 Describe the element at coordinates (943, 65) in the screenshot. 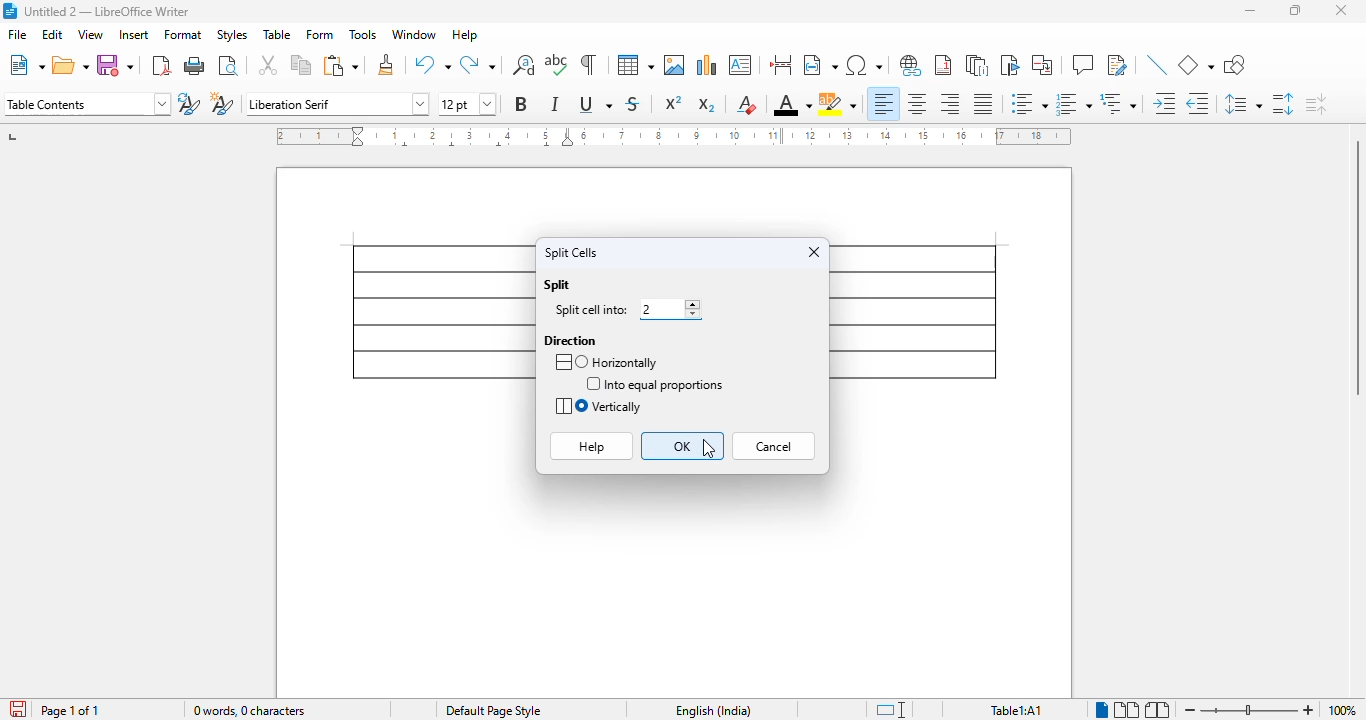

I see `insert footnote` at that location.